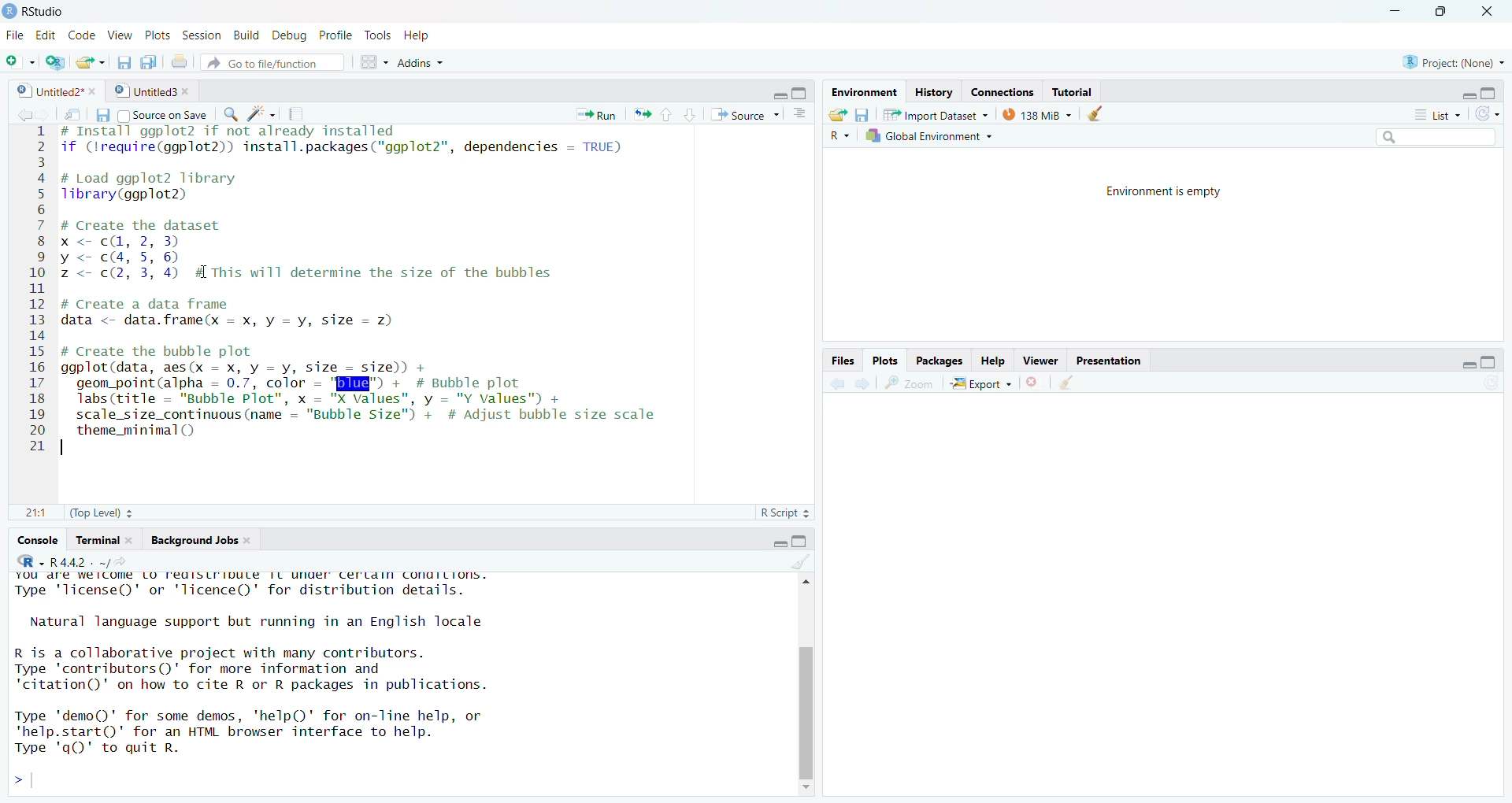 The image size is (1512, 803). What do you see at coordinates (54, 91) in the screenshot?
I see `Untitled2` at bounding box center [54, 91].